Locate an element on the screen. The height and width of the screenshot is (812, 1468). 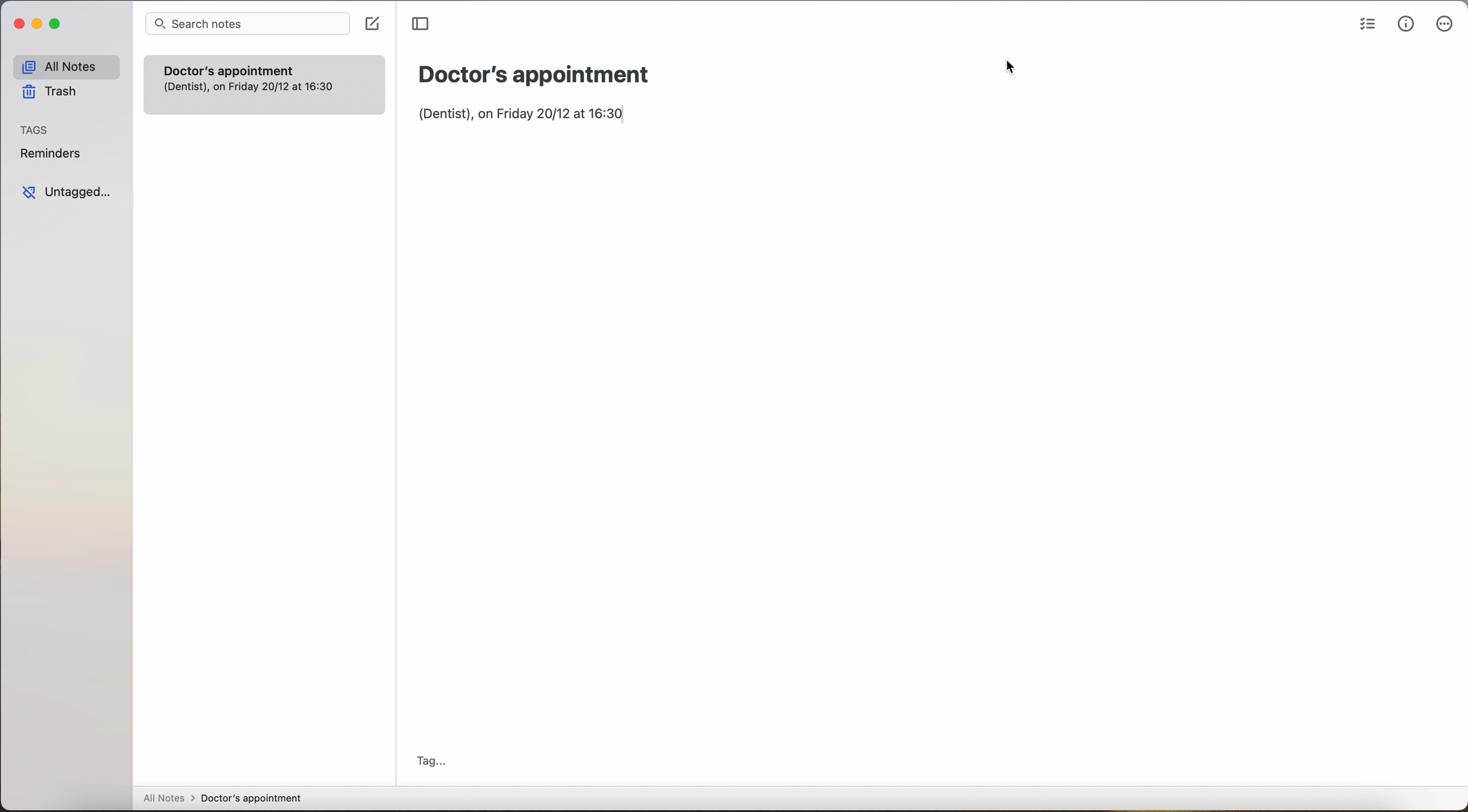
maximize is located at coordinates (58, 25).